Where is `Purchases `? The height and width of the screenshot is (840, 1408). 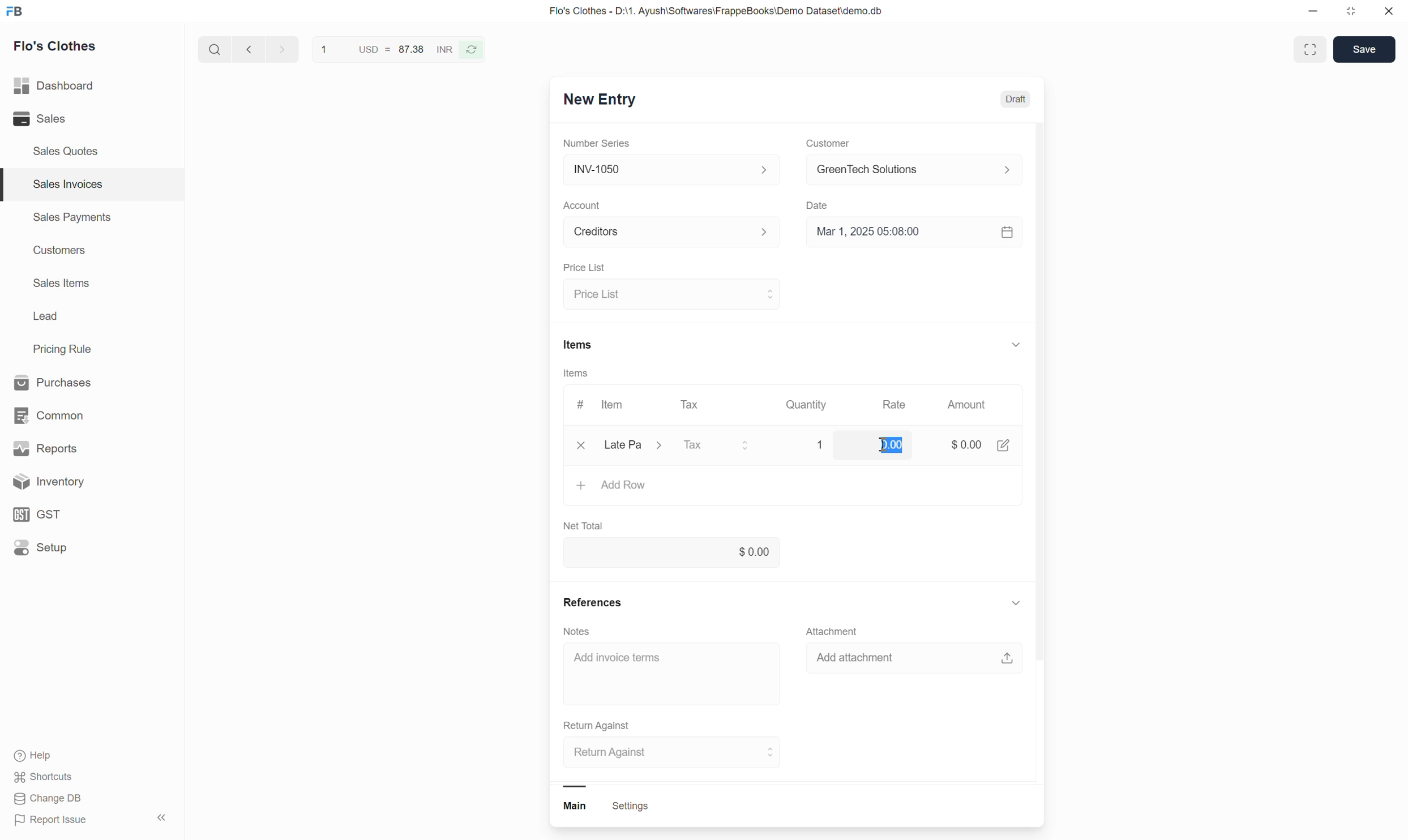
Purchases  is located at coordinates (71, 381).